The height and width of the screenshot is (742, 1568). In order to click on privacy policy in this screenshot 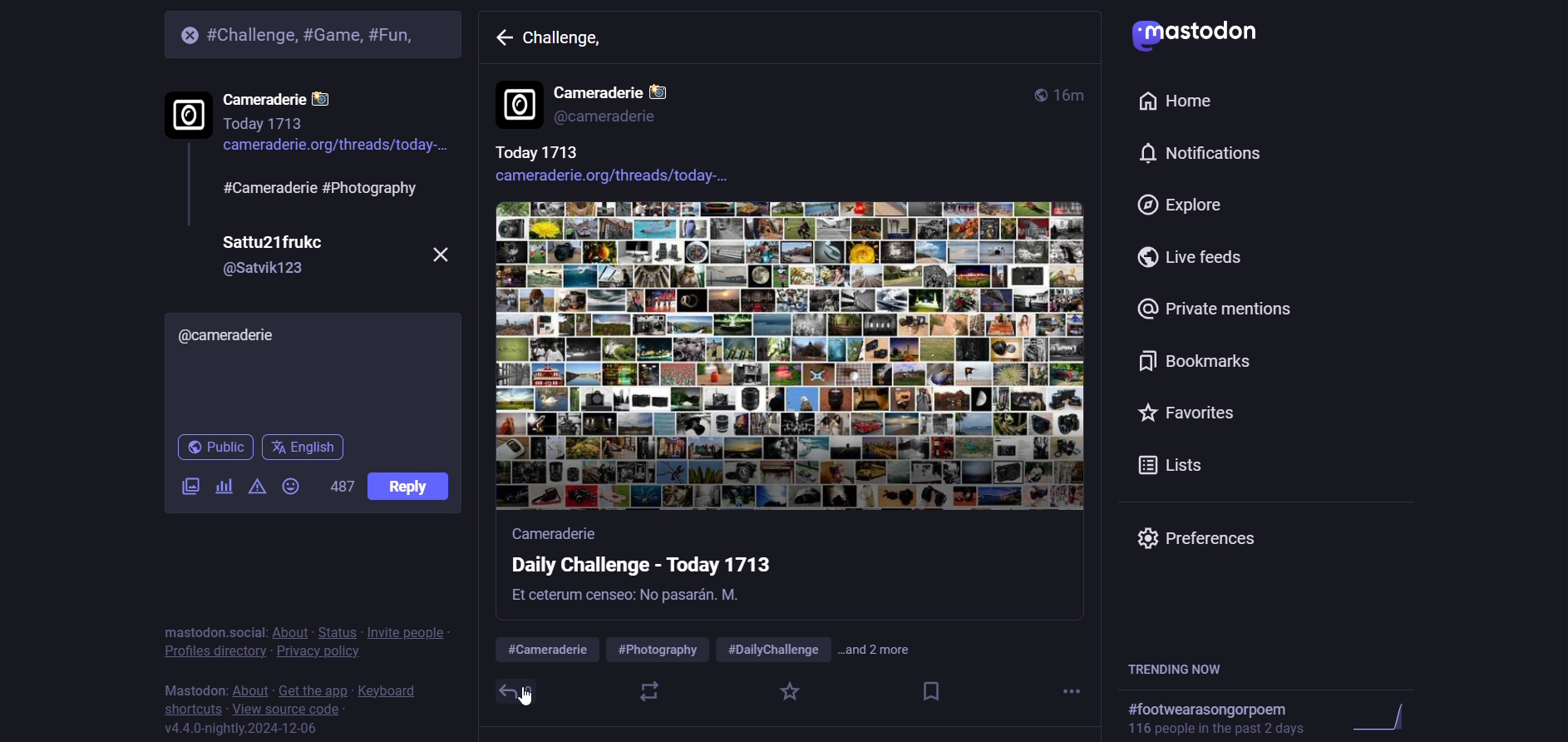, I will do `click(317, 653)`.